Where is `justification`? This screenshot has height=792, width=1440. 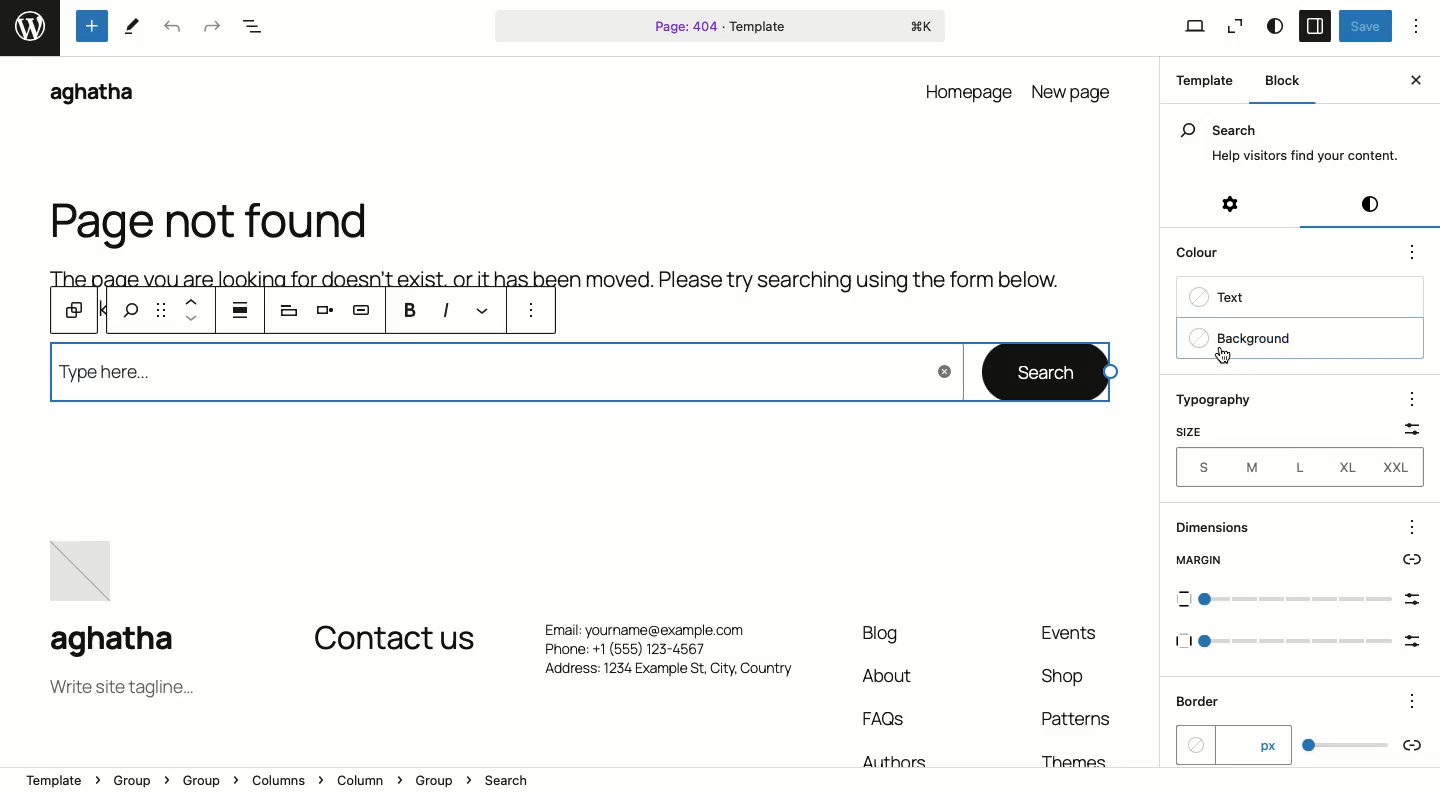
justification is located at coordinates (240, 311).